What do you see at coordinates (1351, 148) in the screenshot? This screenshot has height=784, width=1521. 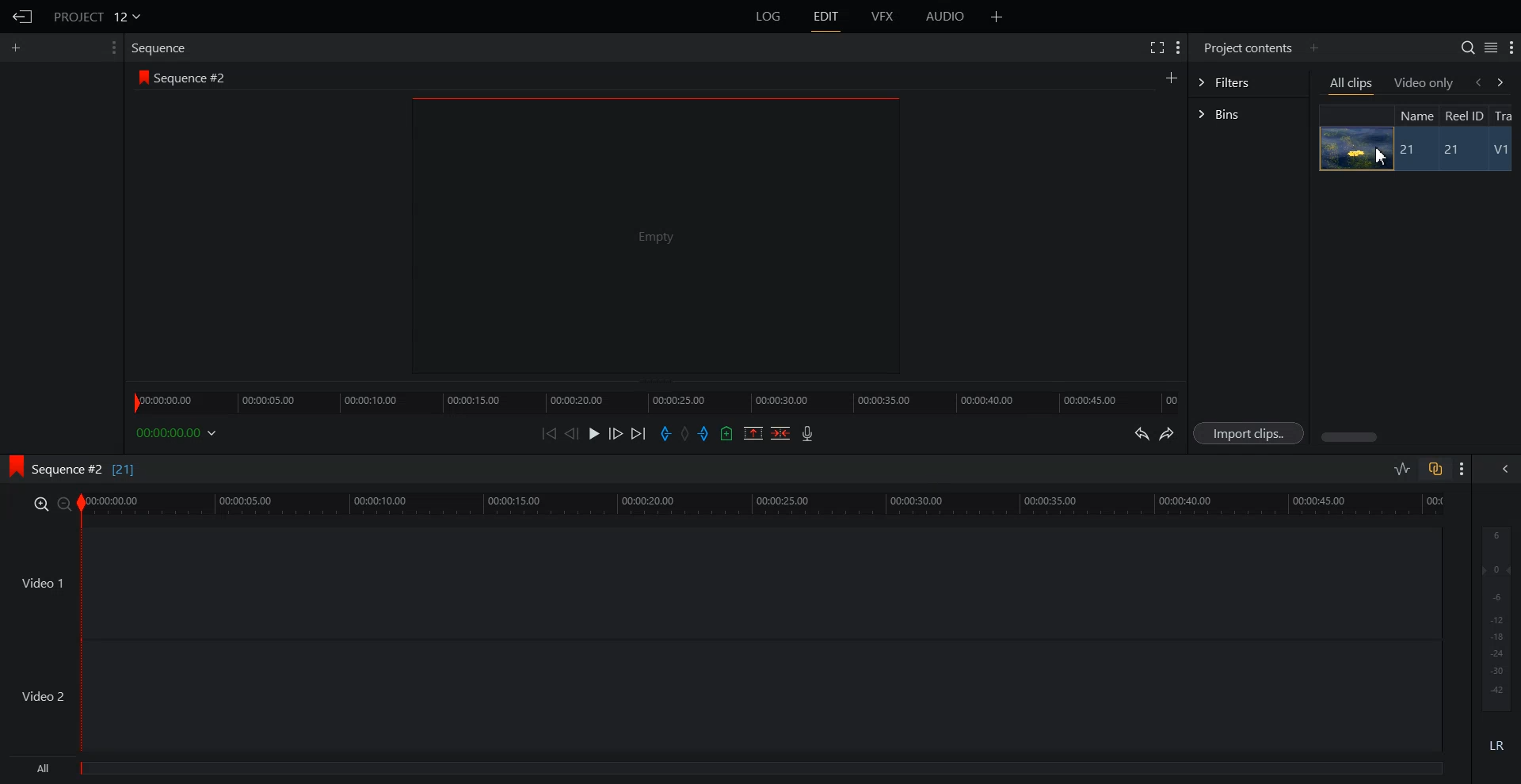 I see `Image` at bounding box center [1351, 148].